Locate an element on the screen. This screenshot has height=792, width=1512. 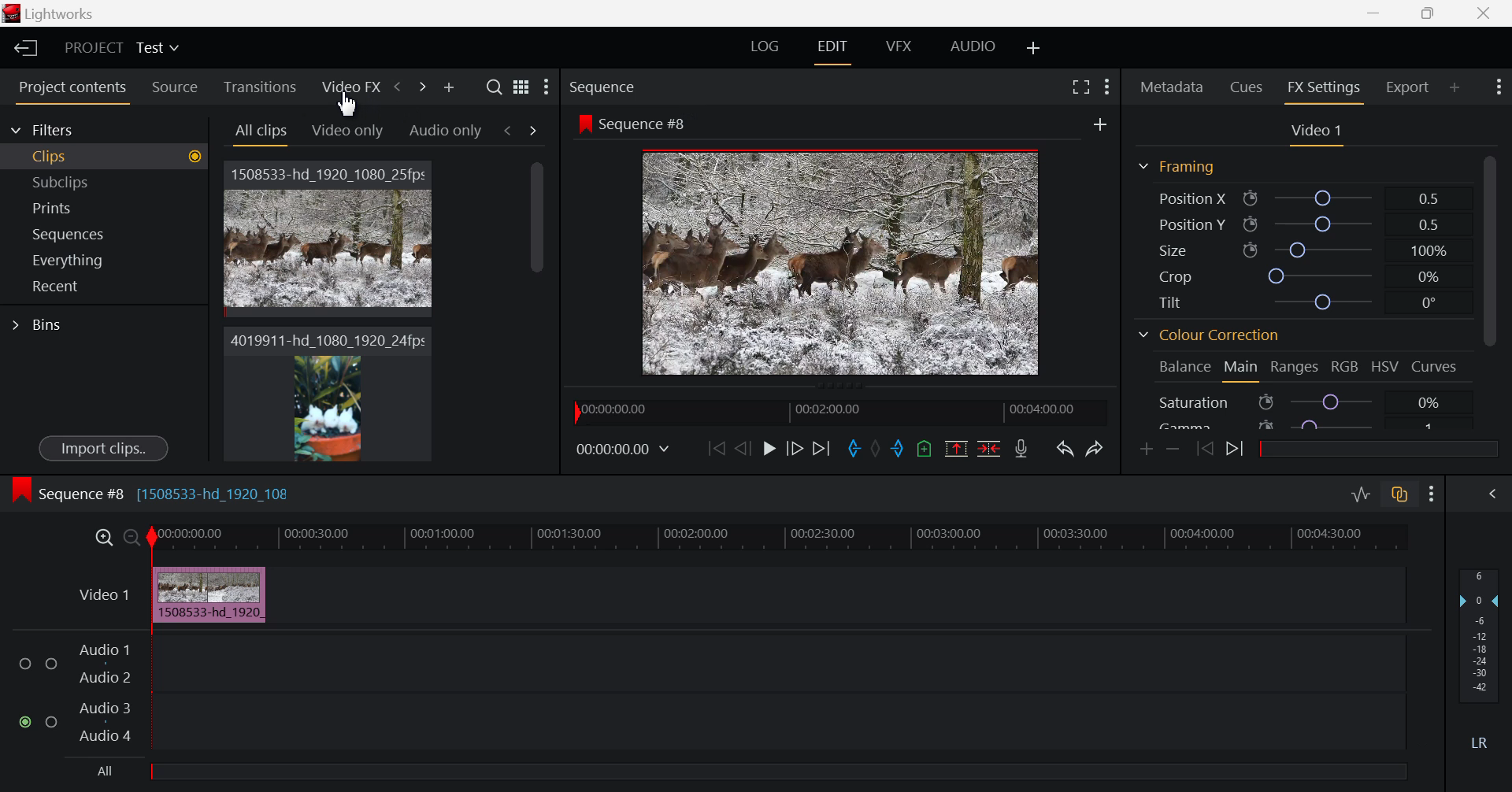
LOG Layout is located at coordinates (765, 50).